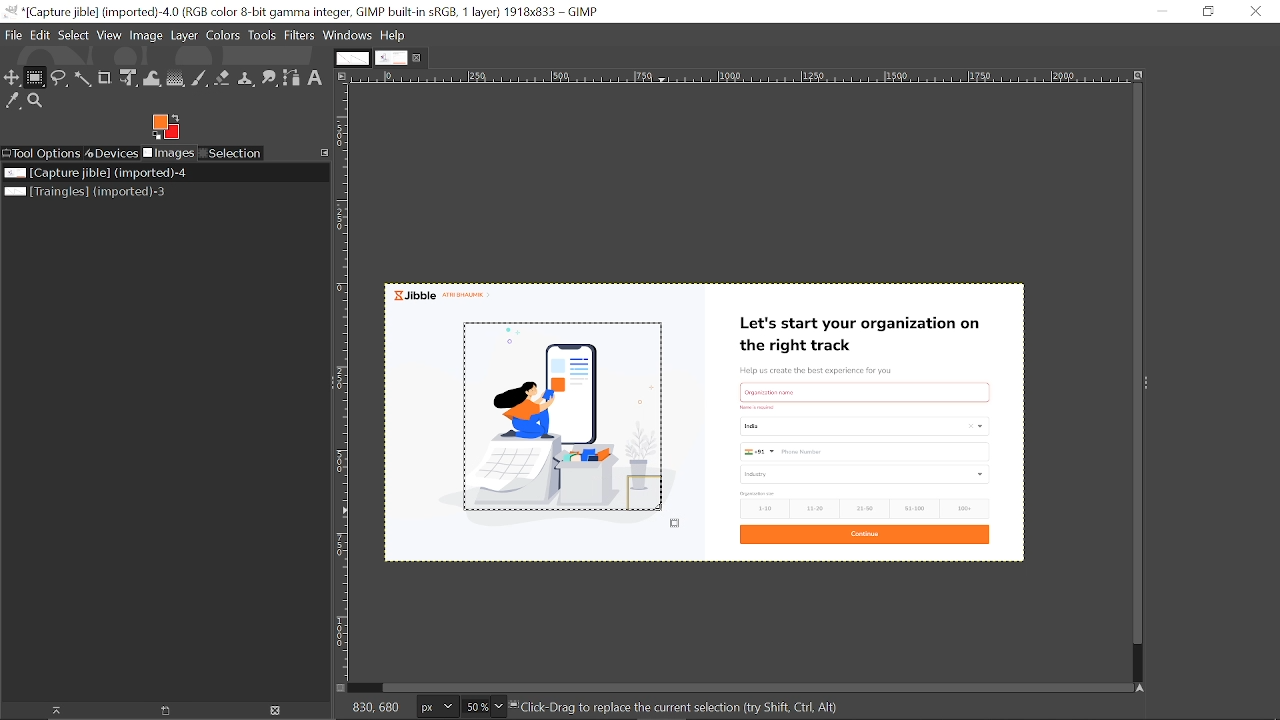 The width and height of the screenshot is (1280, 720). Describe the element at coordinates (303, 11) in the screenshot. I see `Current window` at that location.